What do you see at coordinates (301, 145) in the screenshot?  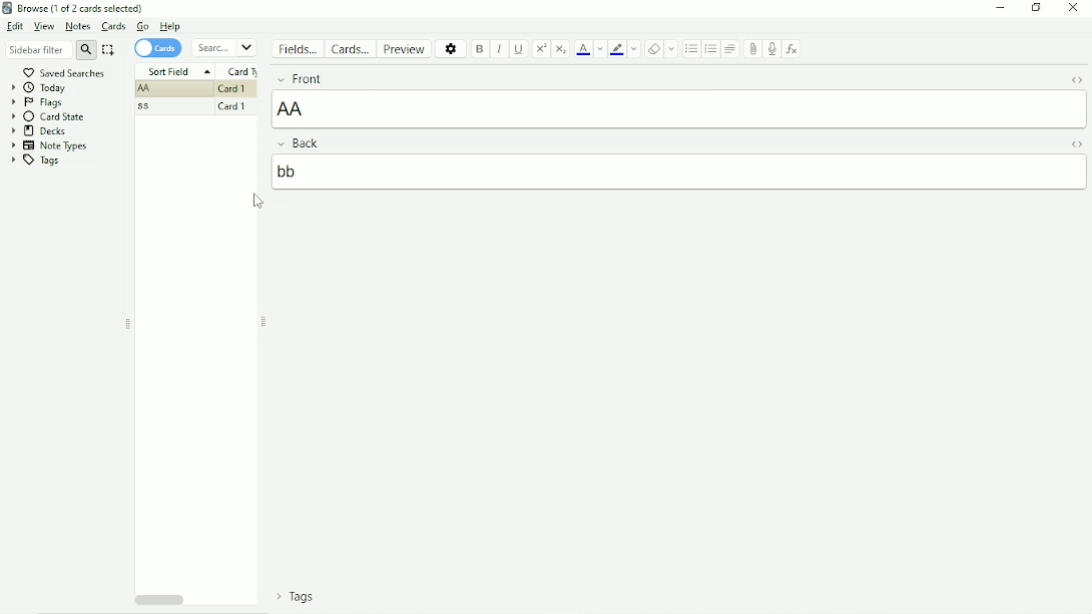 I see `Back` at bounding box center [301, 145].